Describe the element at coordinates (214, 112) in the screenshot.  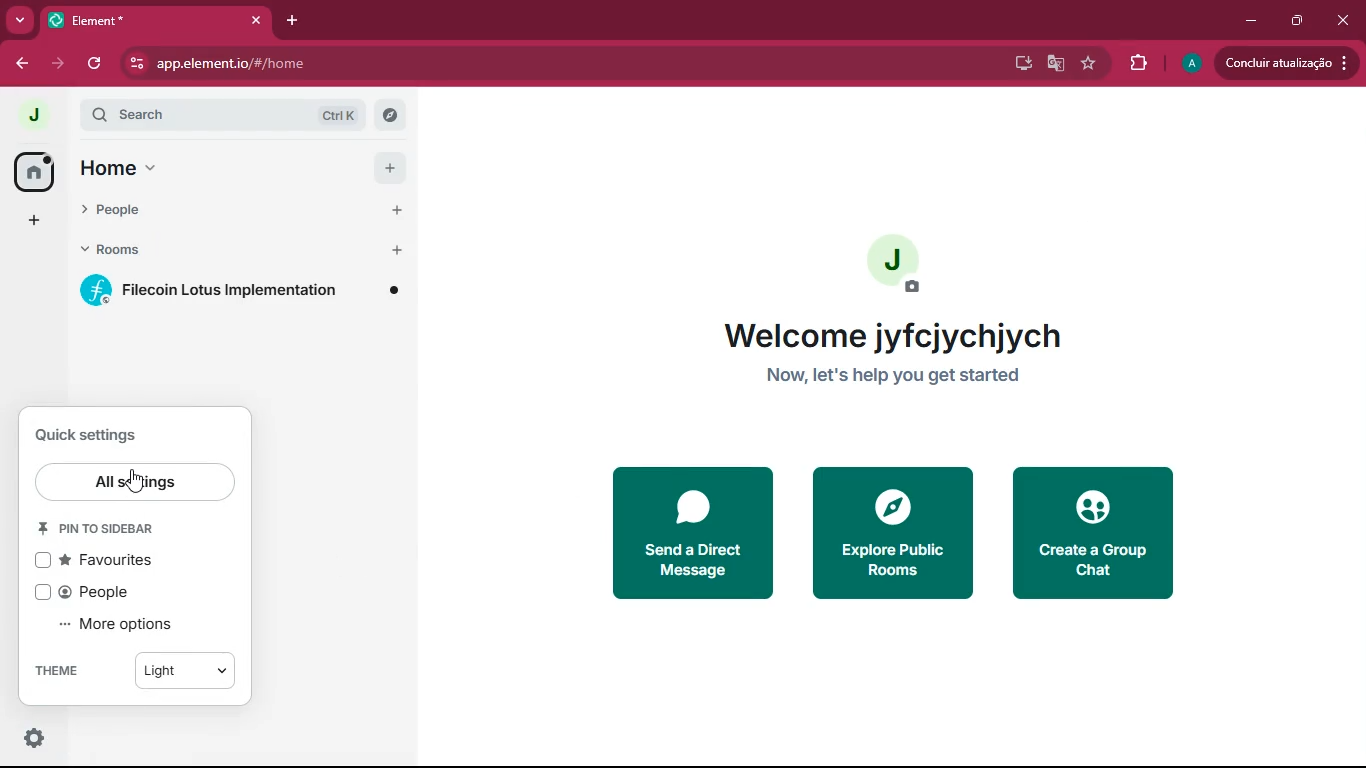
I see `search` at that location.